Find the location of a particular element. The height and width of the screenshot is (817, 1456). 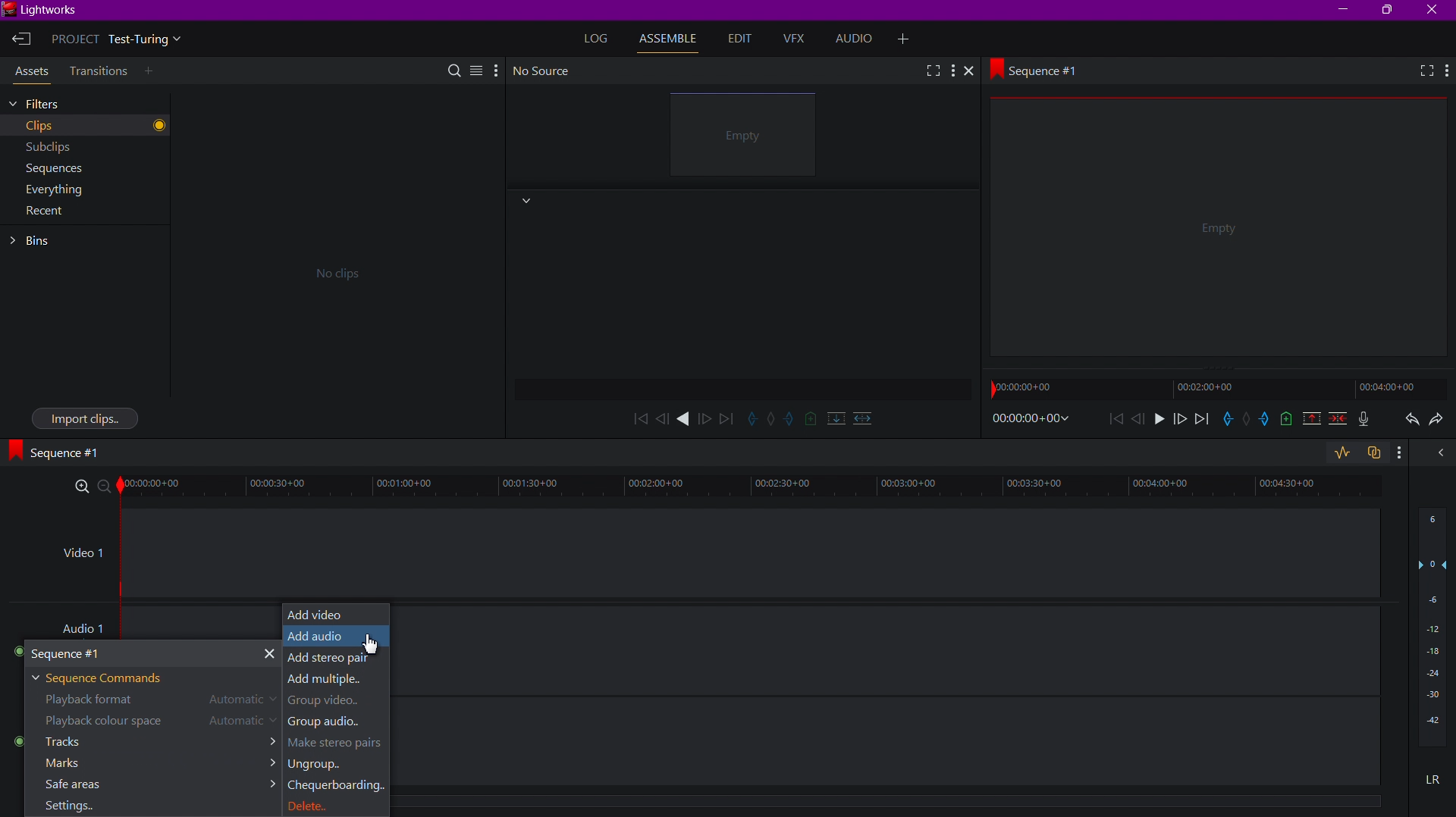

Assemble is located at coordinates (672, 39).